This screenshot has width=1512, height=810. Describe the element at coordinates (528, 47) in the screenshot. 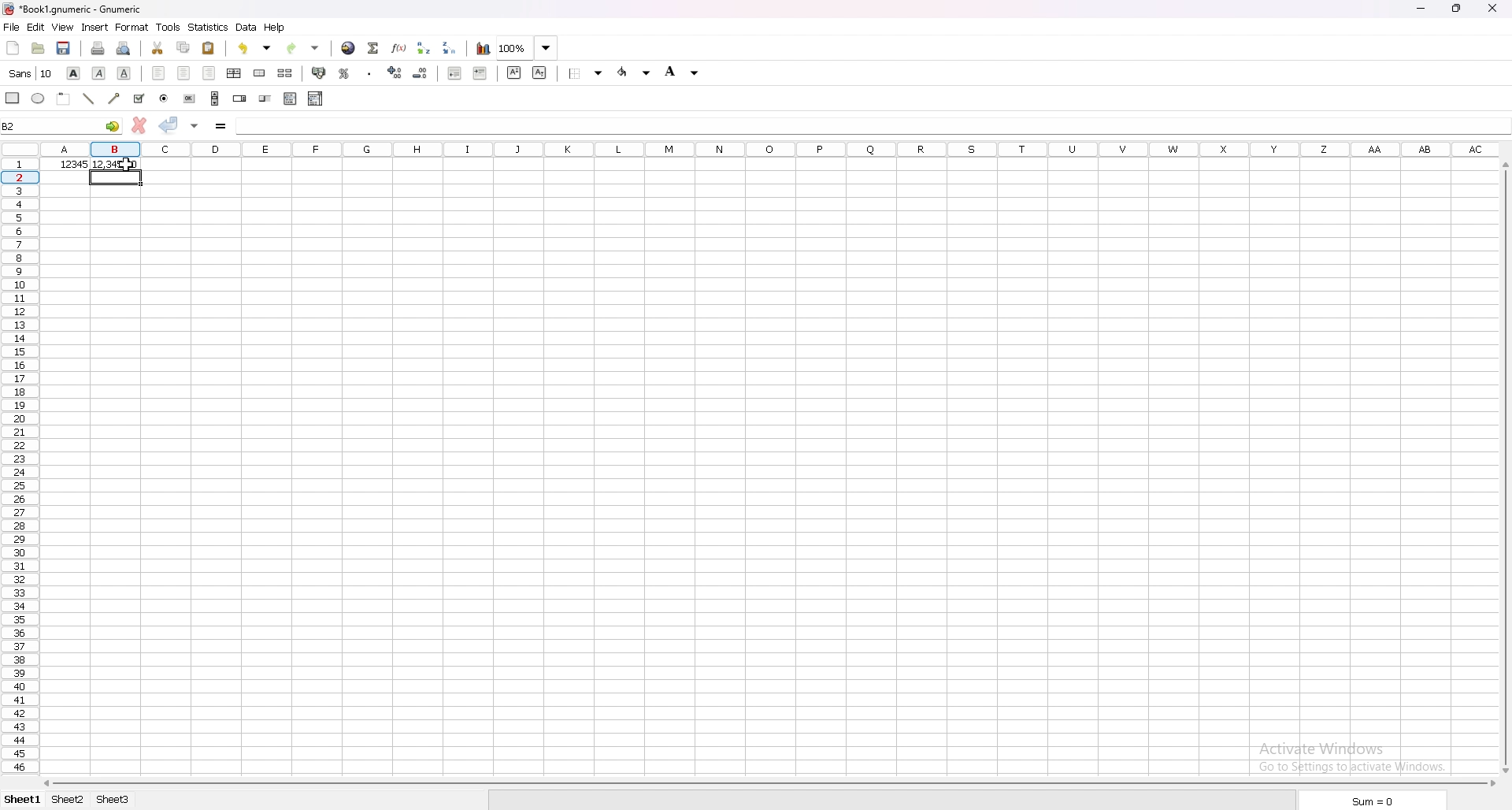

I see `zoom` at that location.